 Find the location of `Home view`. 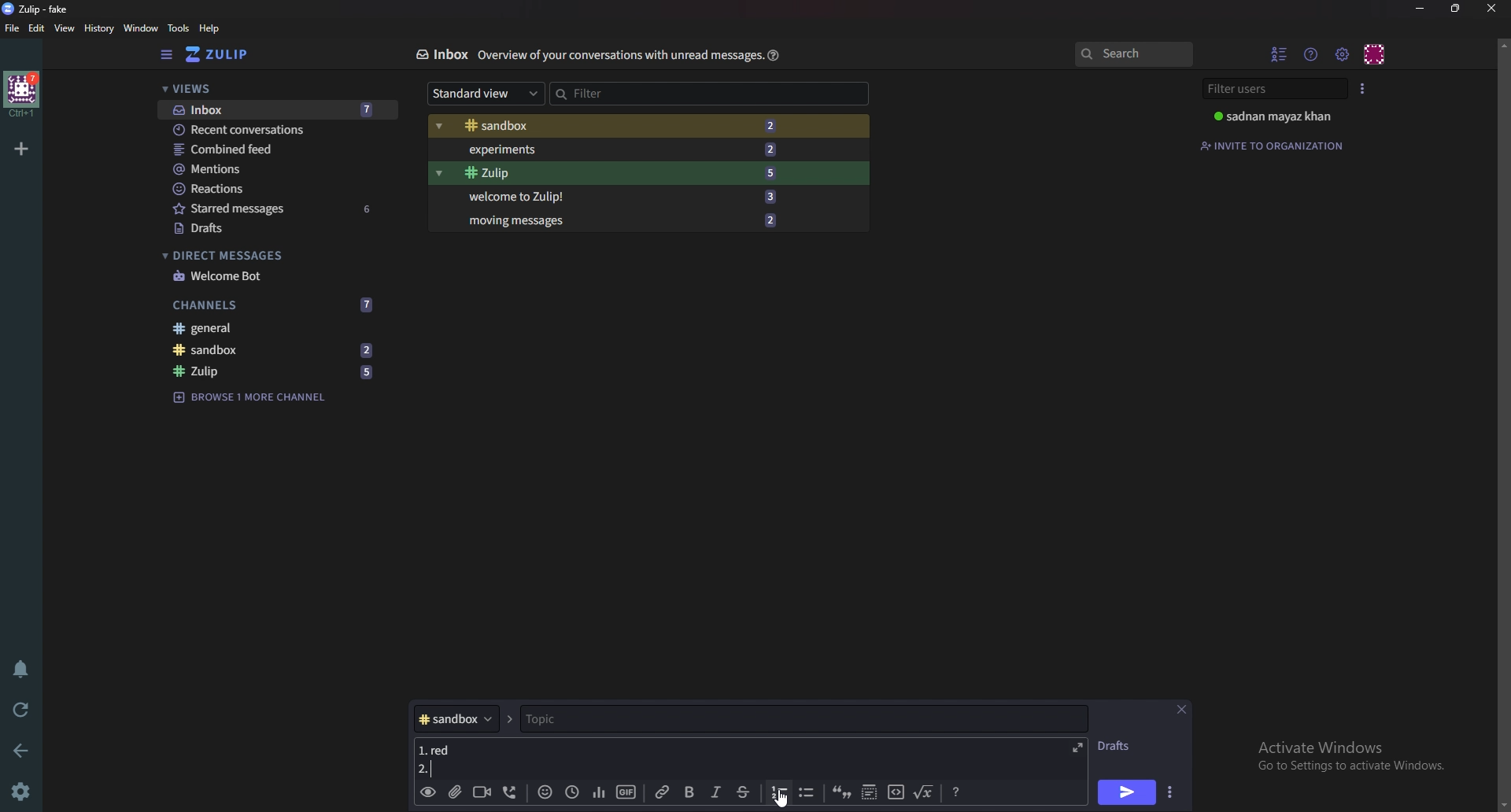

Home view is located at coordinates (228, 54).